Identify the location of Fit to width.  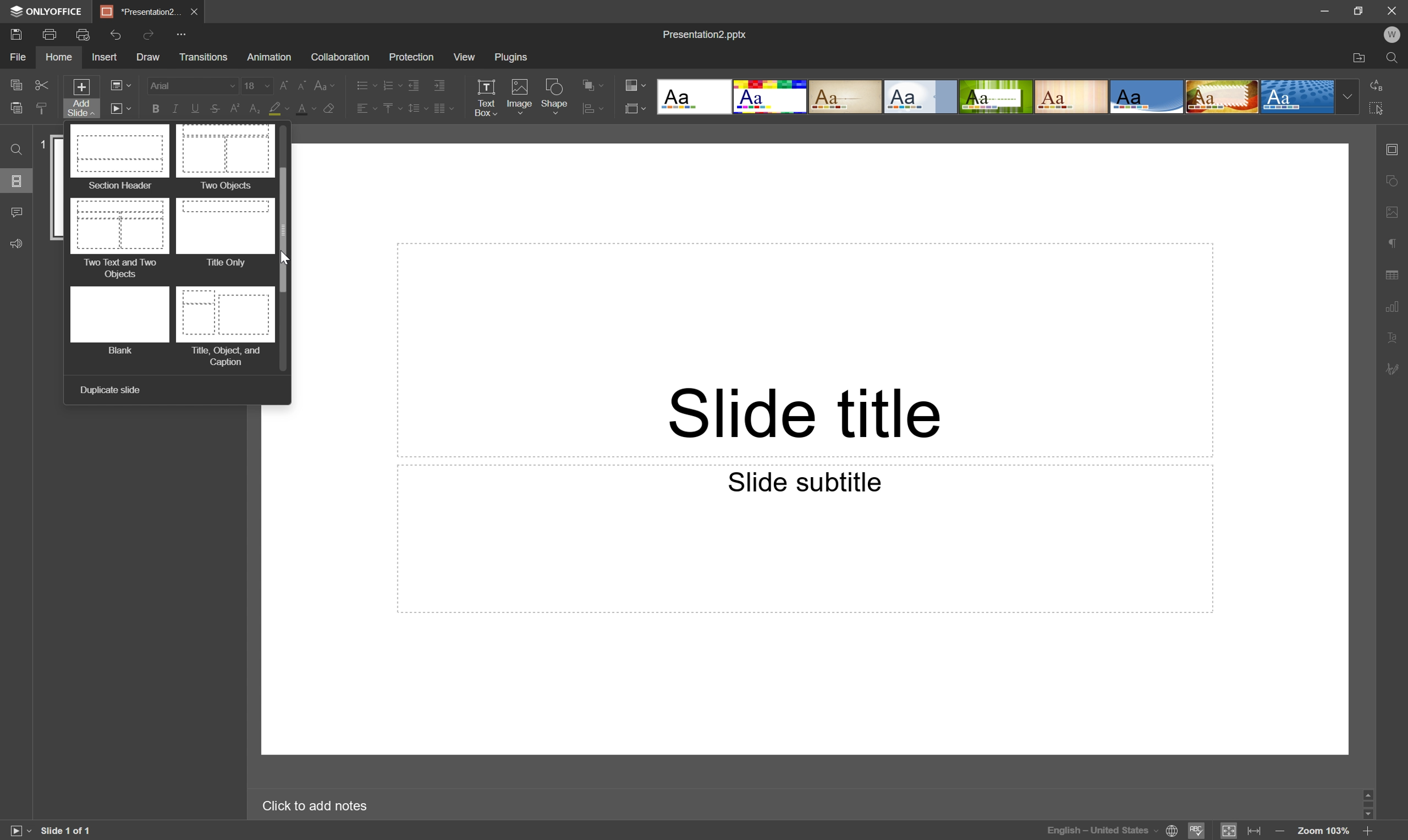
(1256, 832).